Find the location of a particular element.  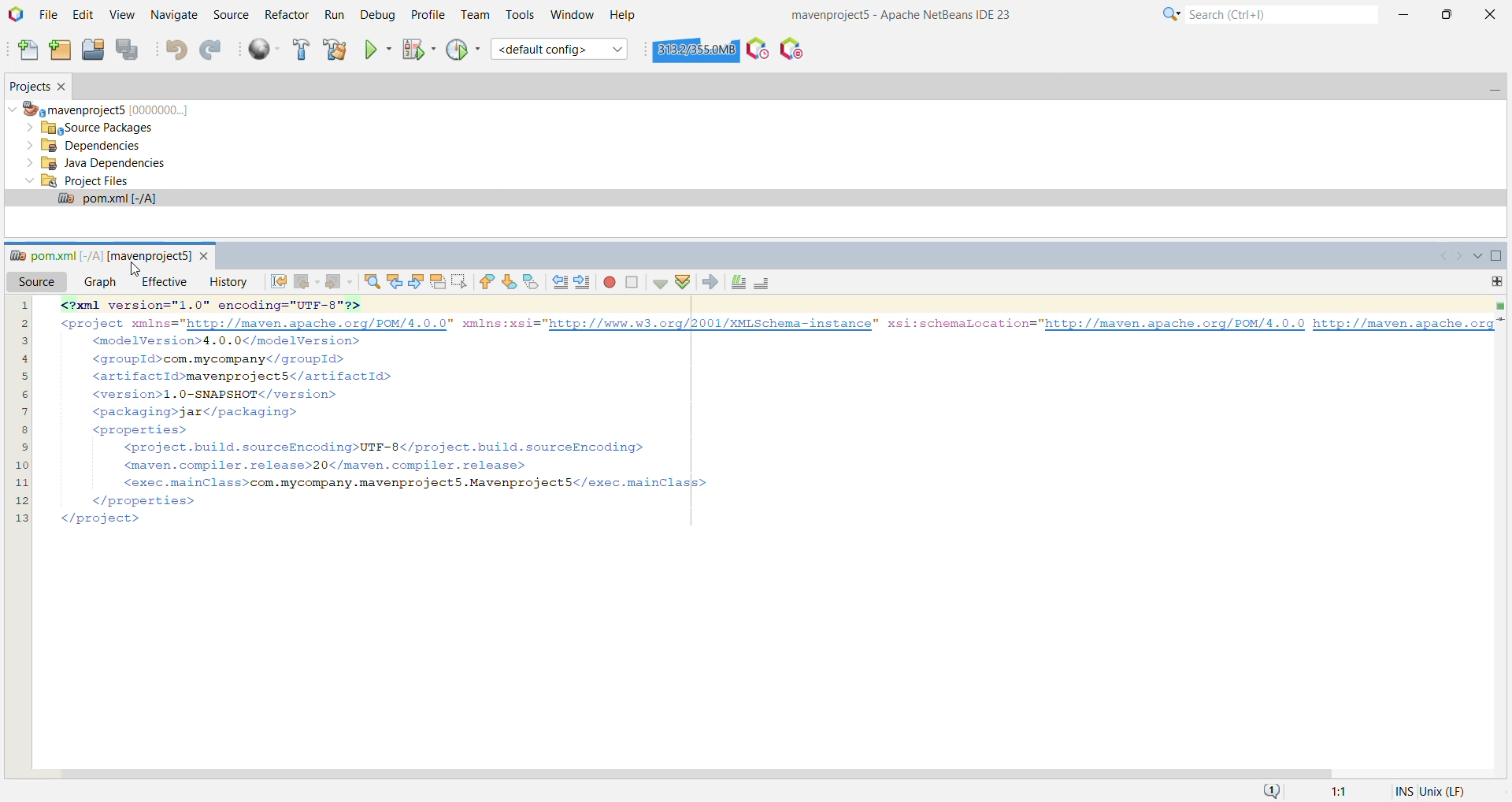

<groupld>com.mycompany</groupId> is located at coordinates (226, 359).